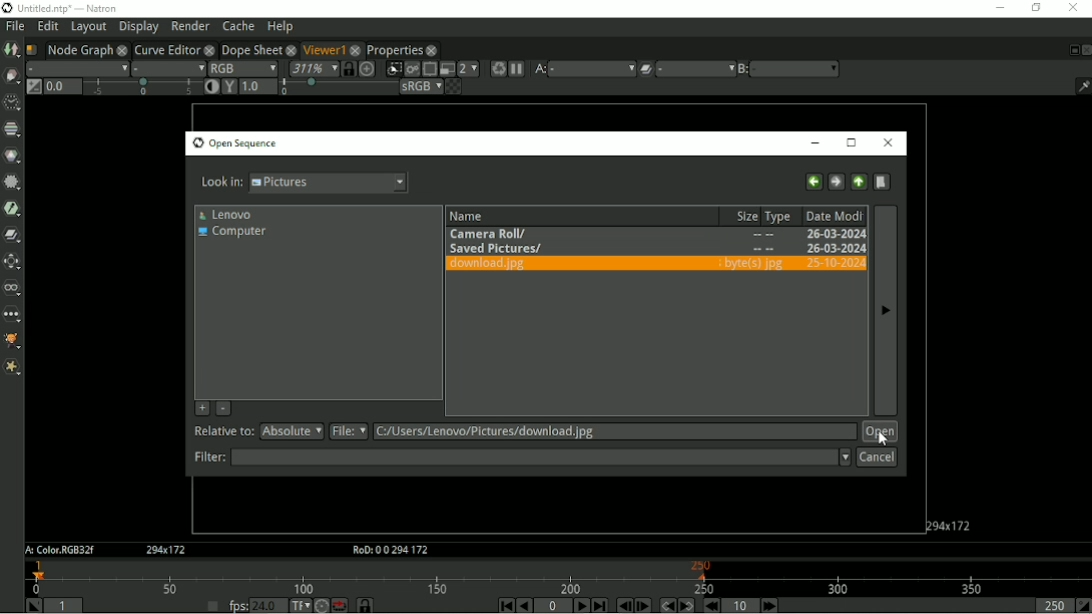  Describe the element at coordinates (31, 605) in the screenshot. I see `Set playback in point at the current frame` at that location.